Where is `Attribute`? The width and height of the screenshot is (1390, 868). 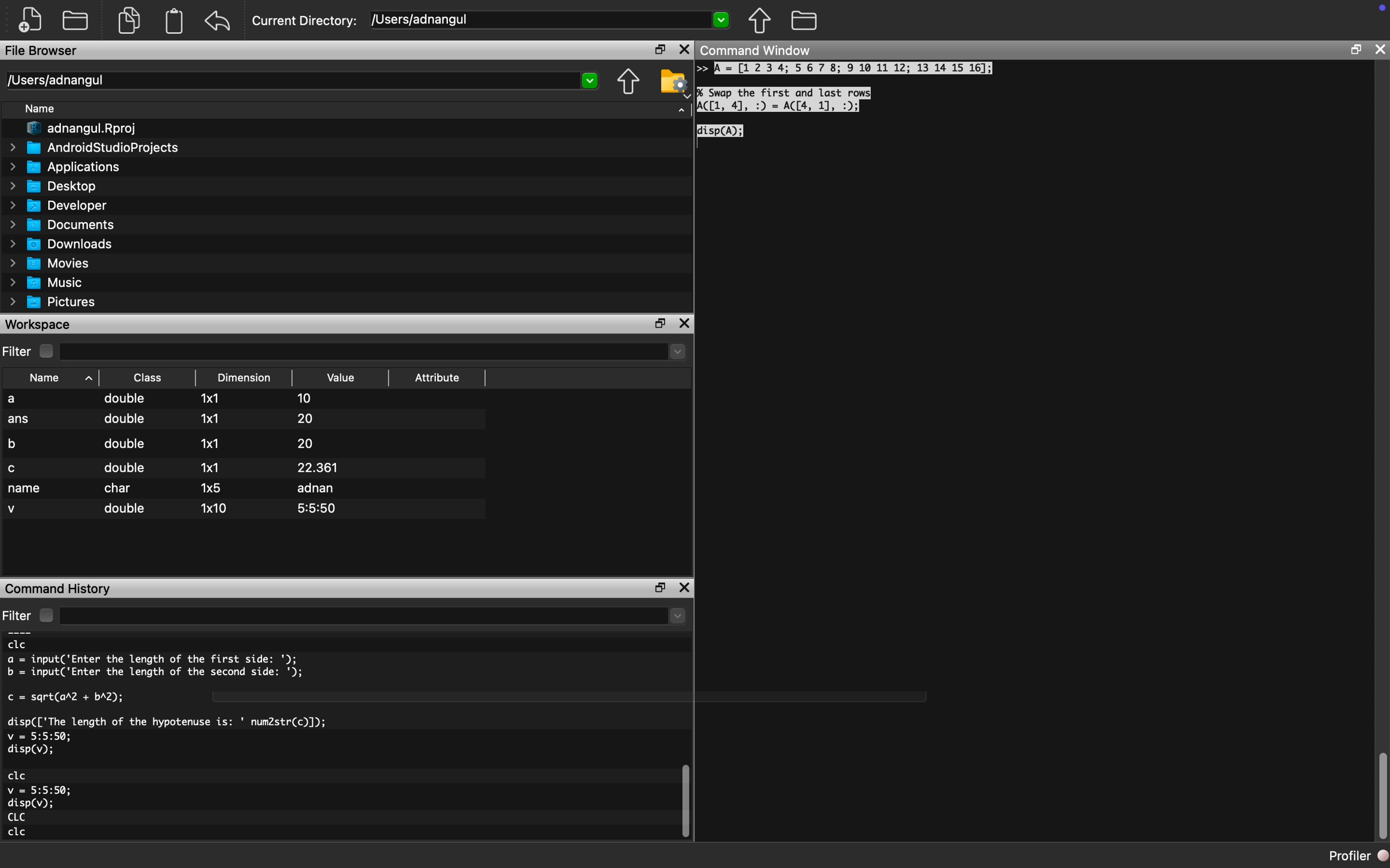 Attribute is located at coordinates (441, 373).